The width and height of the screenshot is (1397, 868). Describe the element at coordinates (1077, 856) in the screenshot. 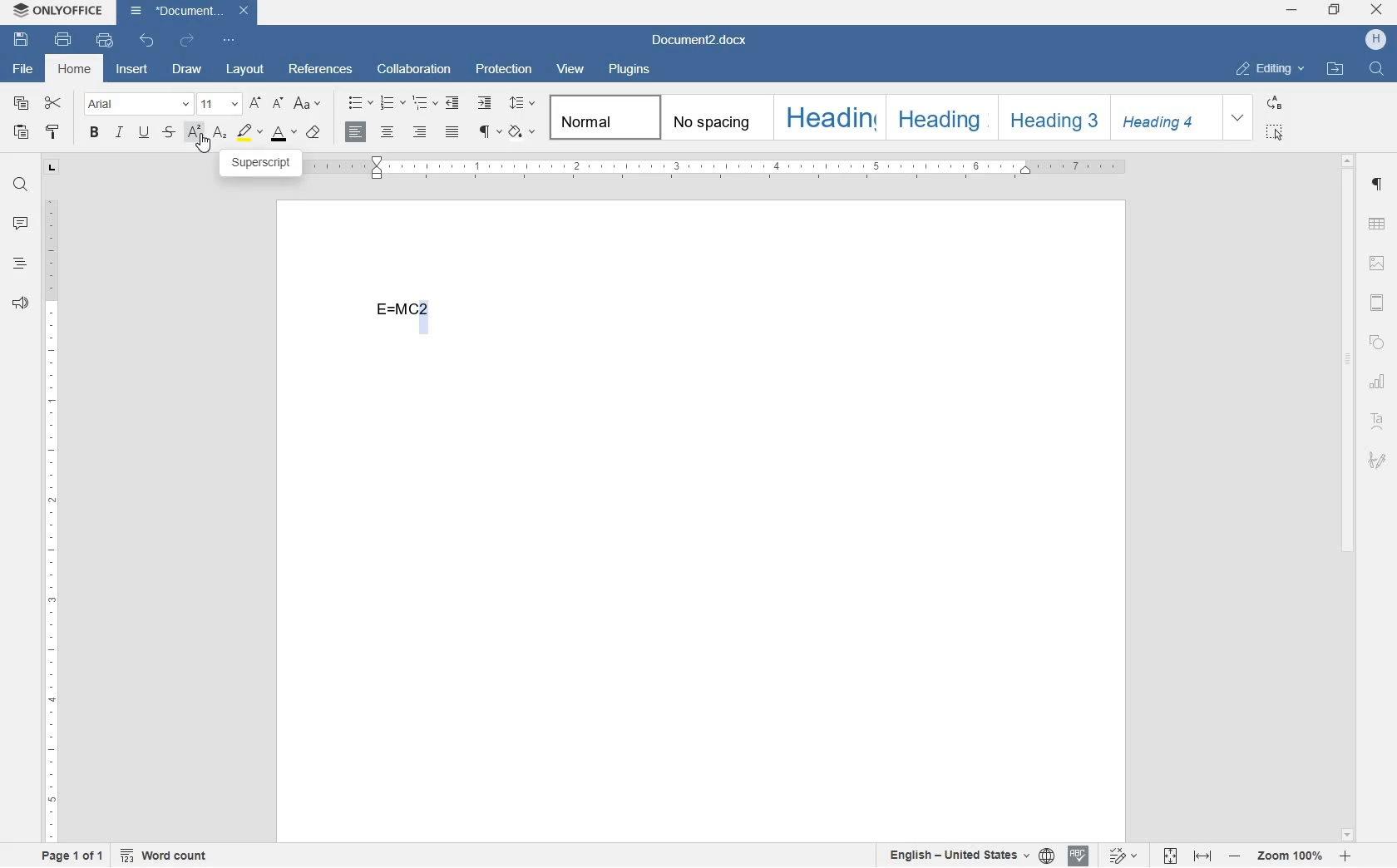

I see `spell checking` at that location.